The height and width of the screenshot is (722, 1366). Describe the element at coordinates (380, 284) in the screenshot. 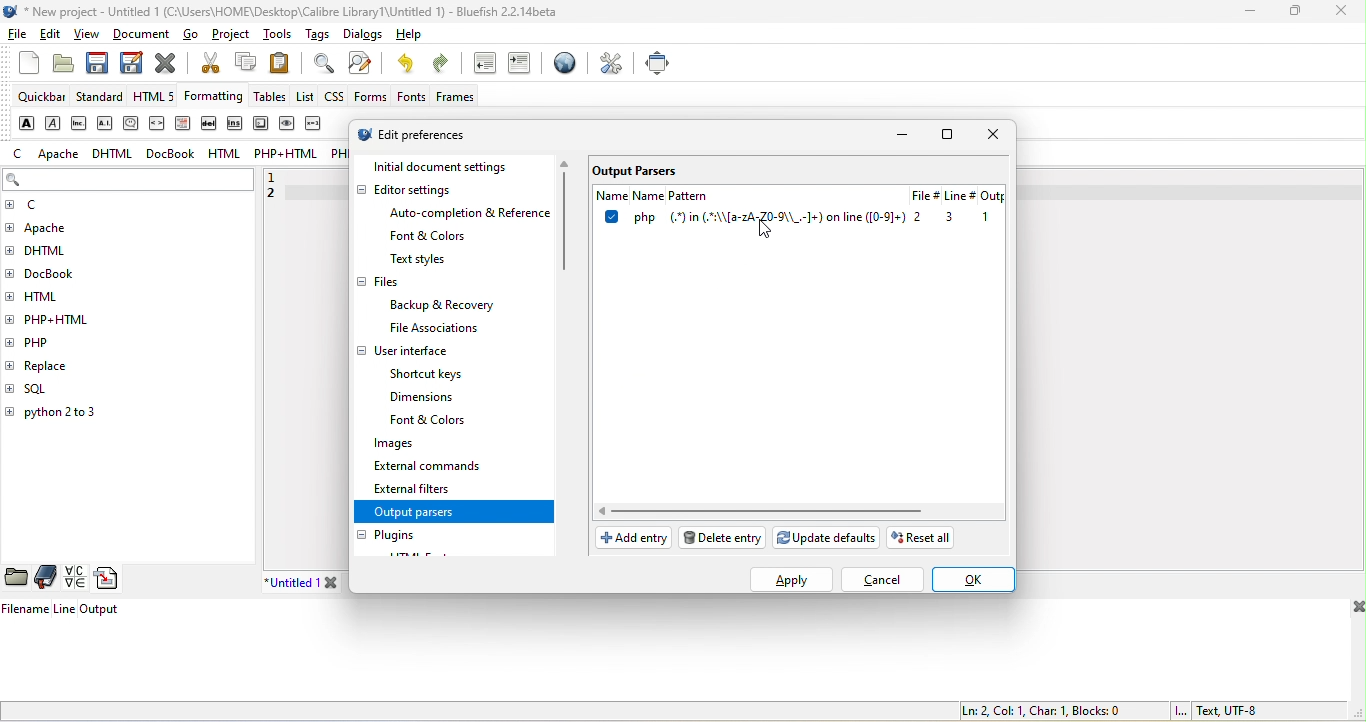

I see `files` at that location.